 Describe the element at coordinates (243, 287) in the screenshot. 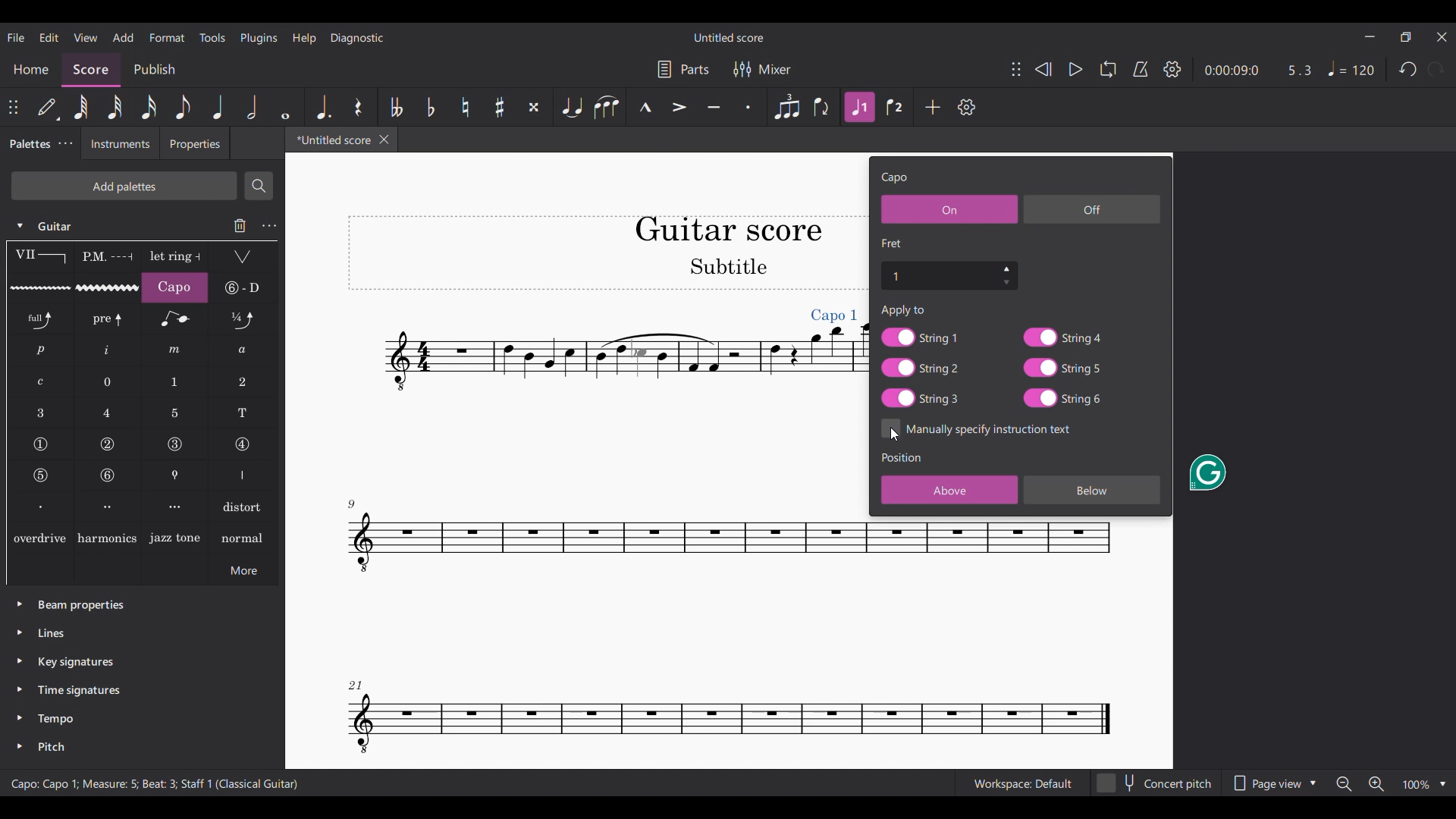

I see `String tunings` at that location.